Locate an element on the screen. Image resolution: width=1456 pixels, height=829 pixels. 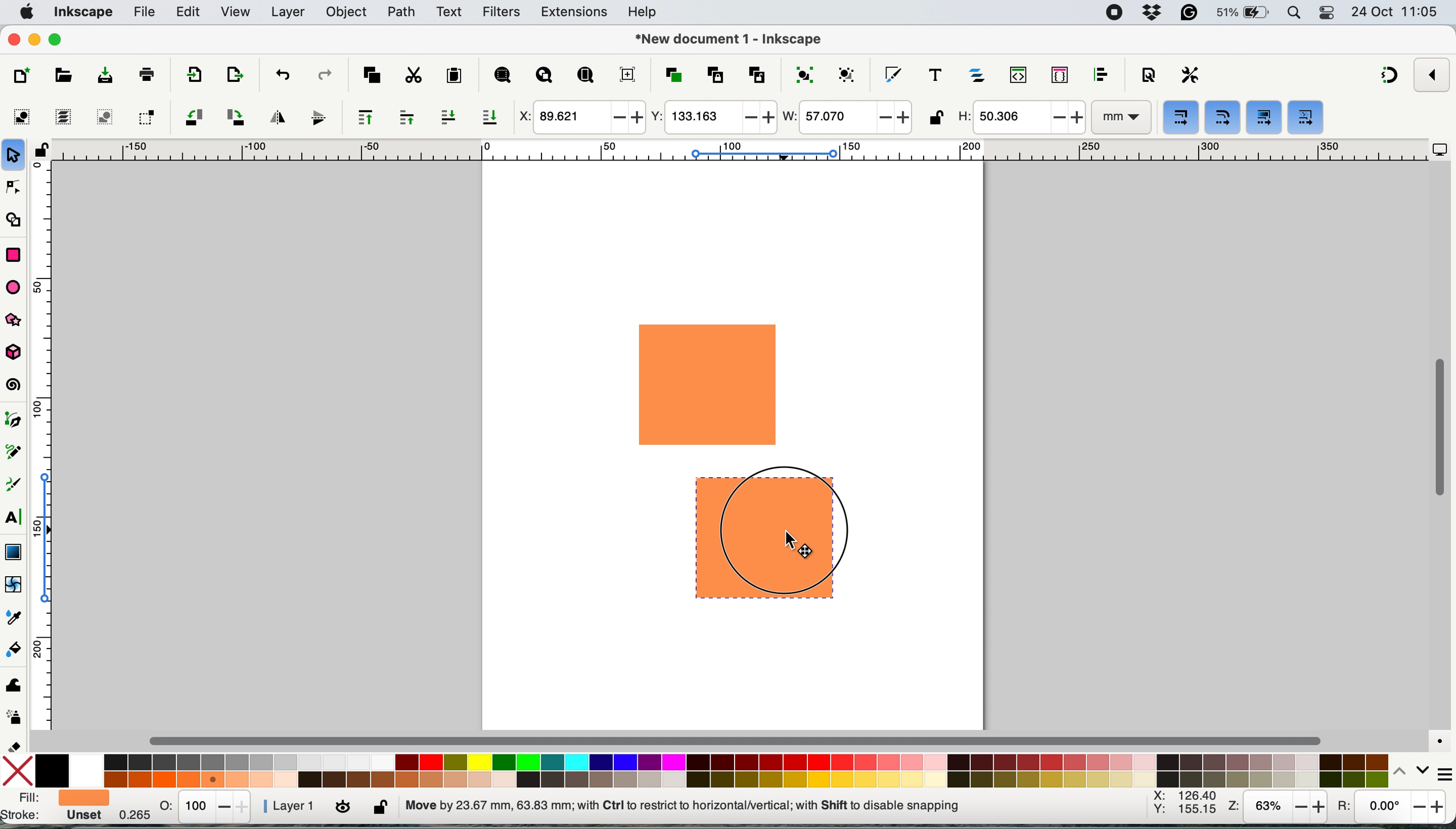
move gradients is located at coordinates (1265, 117).